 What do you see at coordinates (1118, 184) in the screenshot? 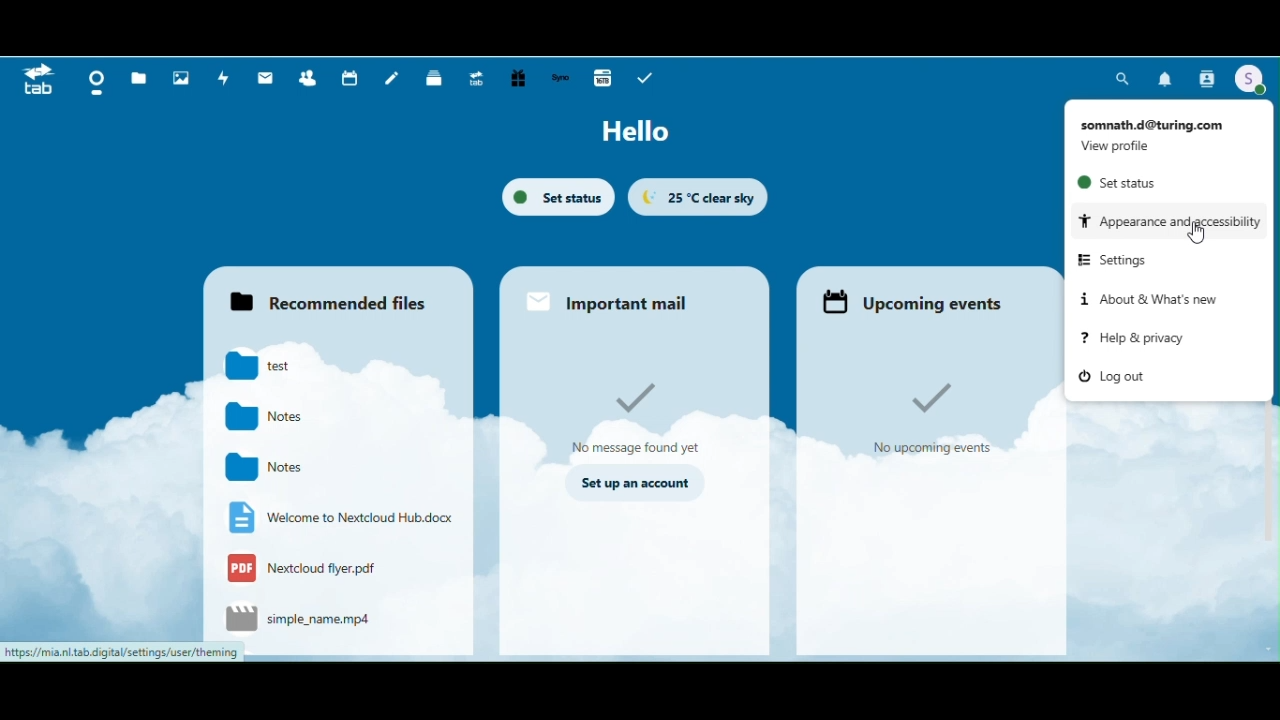
I see `Set status` at bounding box center [1118, 184].